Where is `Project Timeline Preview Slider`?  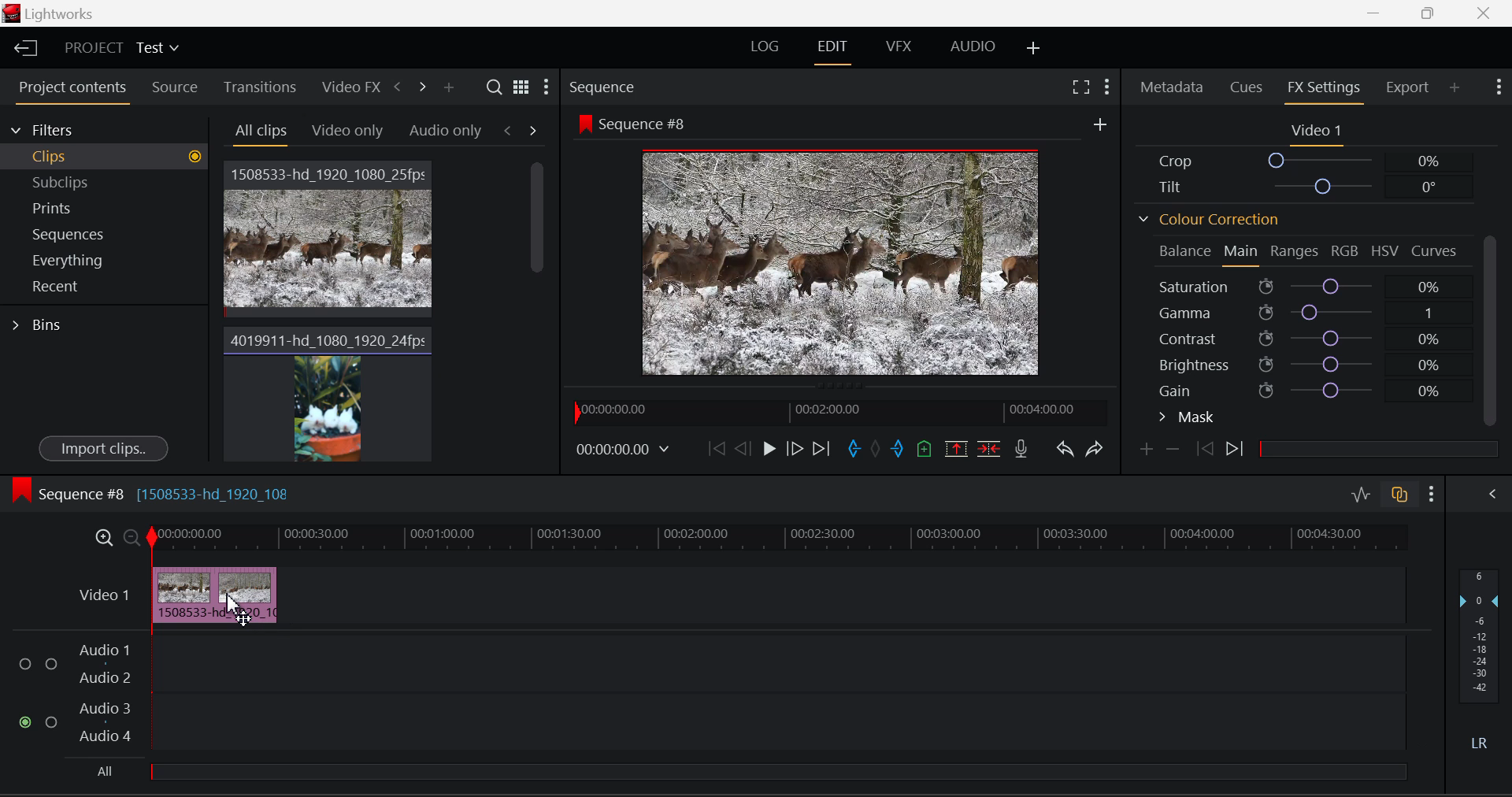 Project Timeline Preview Slider is located at coordinates (832, 410).